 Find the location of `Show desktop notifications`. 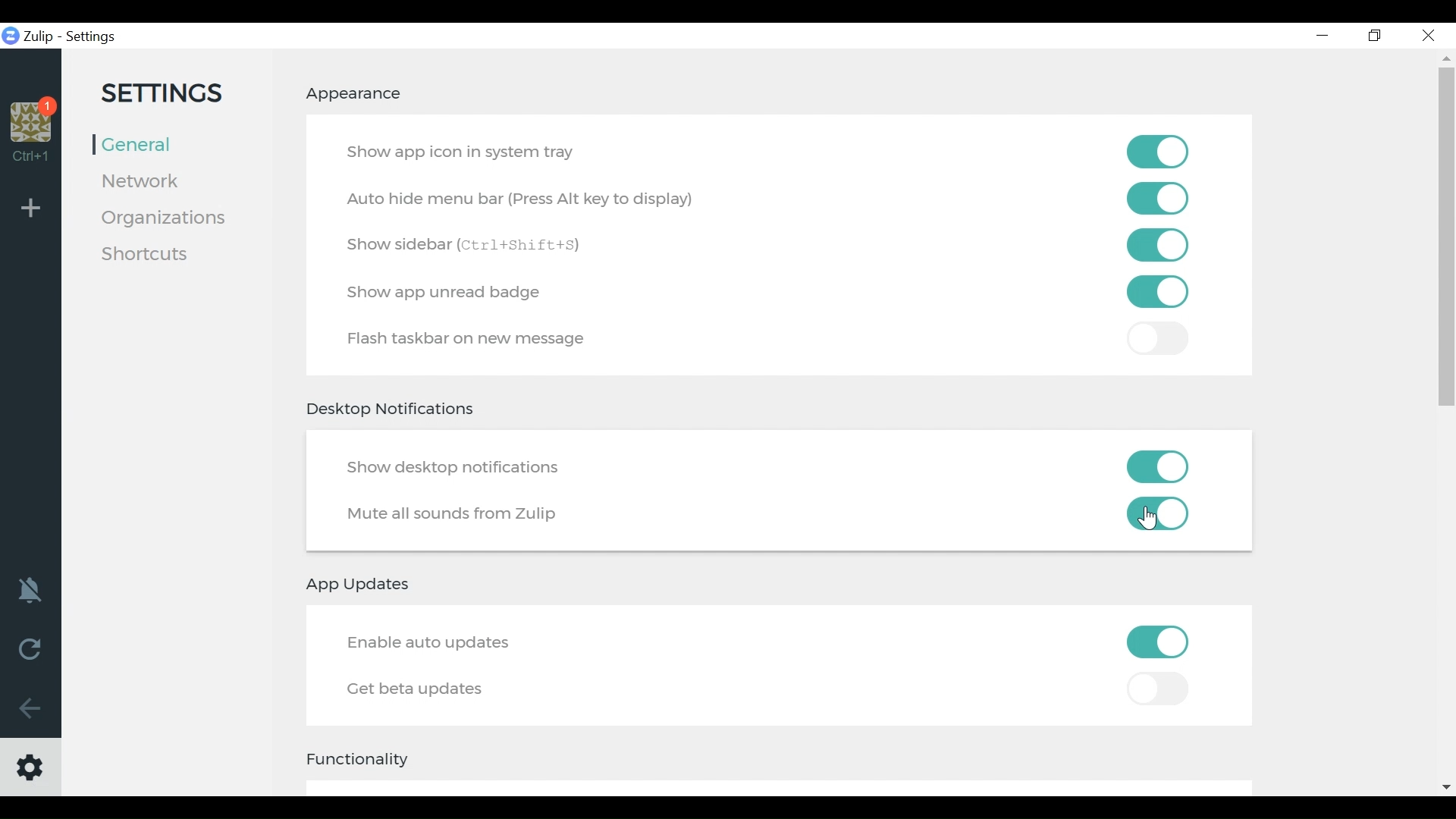

Show desktop notifications is located at coordinates (457, 467).